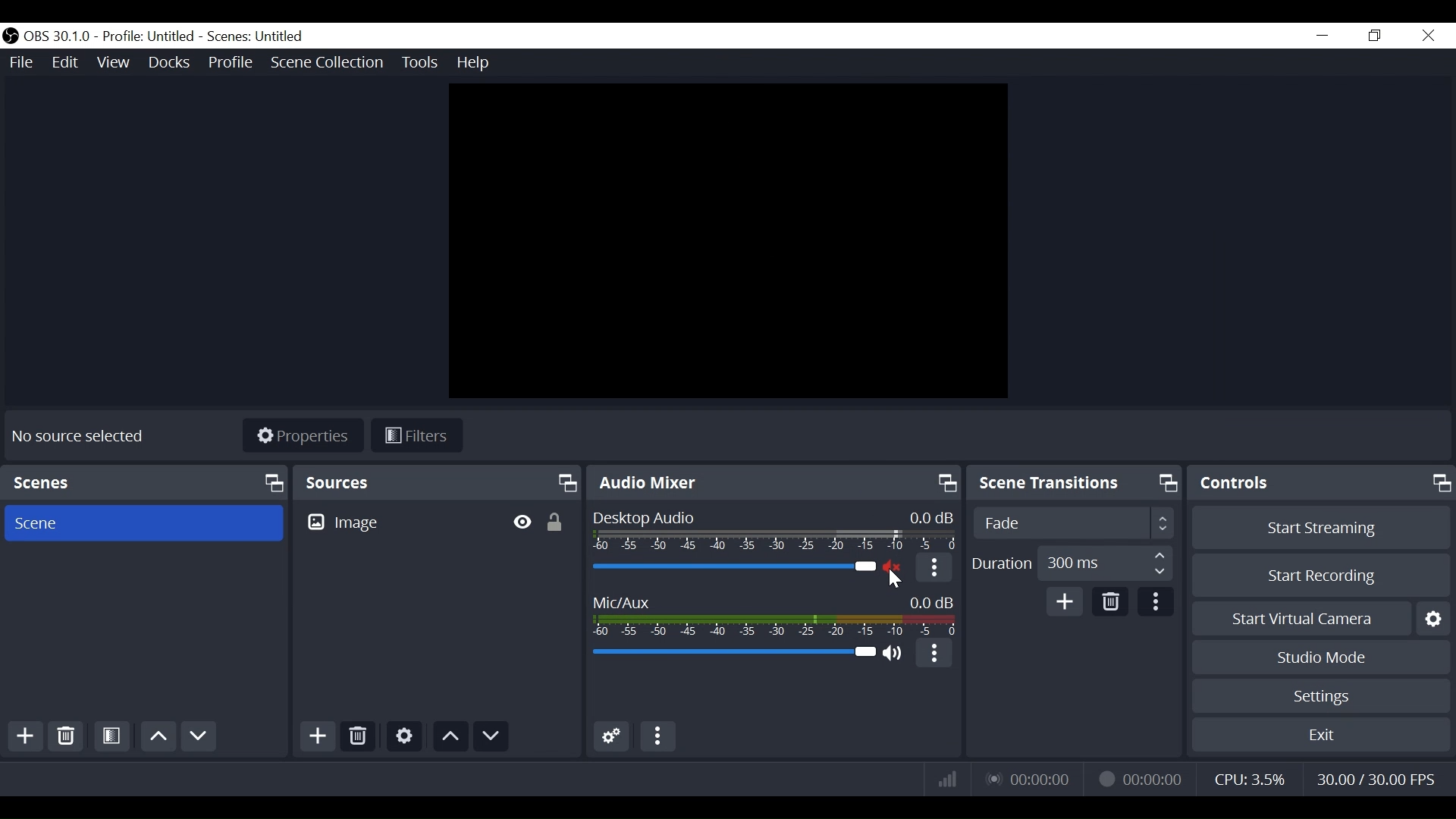 Image resolution: width=1456 pixels, height=819 pixels. Describe the element at coordinates (936, 655) in the screenshot. I see `More Options` at that location.